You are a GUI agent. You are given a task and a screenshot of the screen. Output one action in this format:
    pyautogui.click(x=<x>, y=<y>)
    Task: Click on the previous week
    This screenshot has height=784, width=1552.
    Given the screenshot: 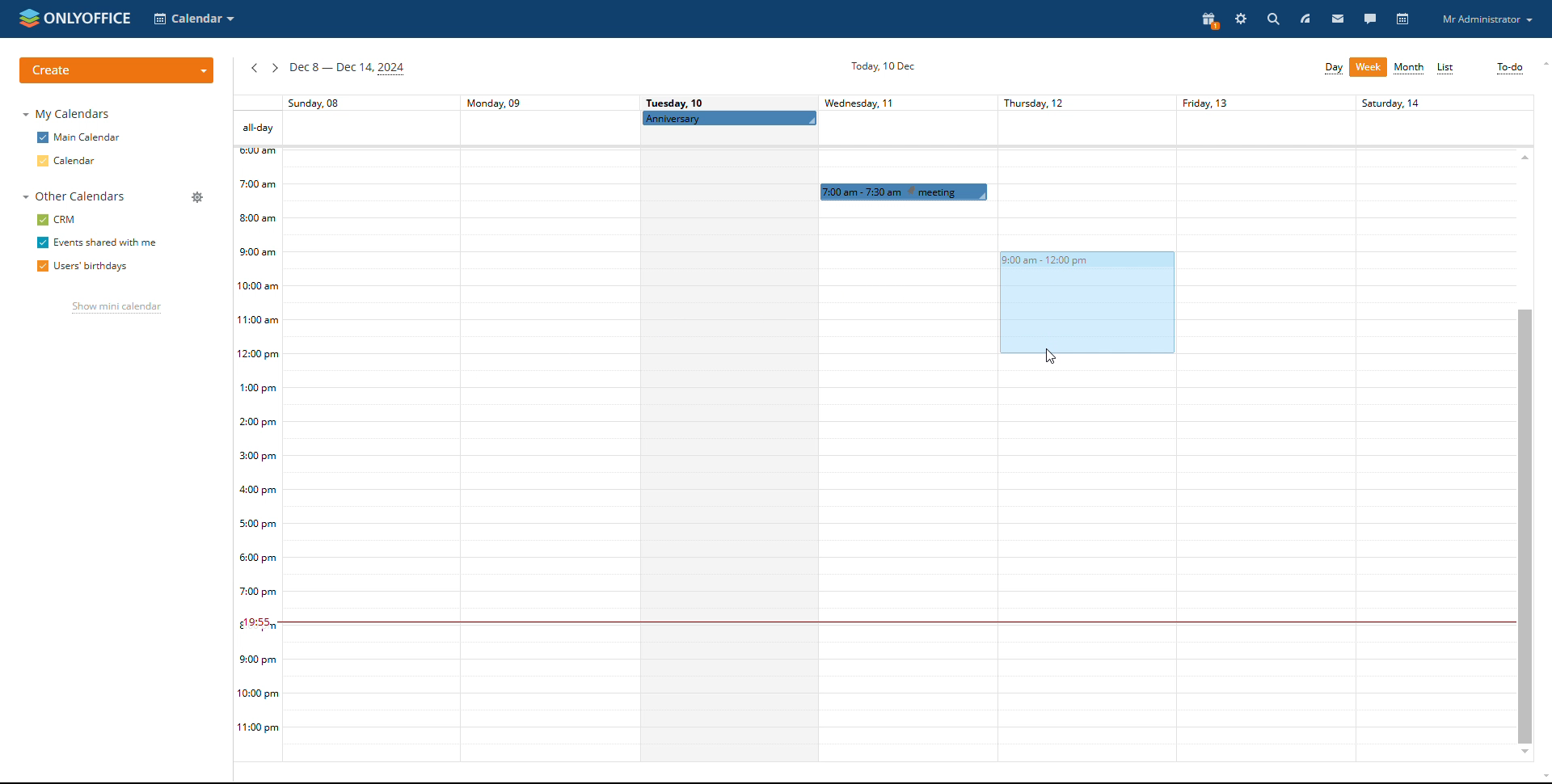 What is the action you would take?
    pyautogui.click(x=254, y=69)
    